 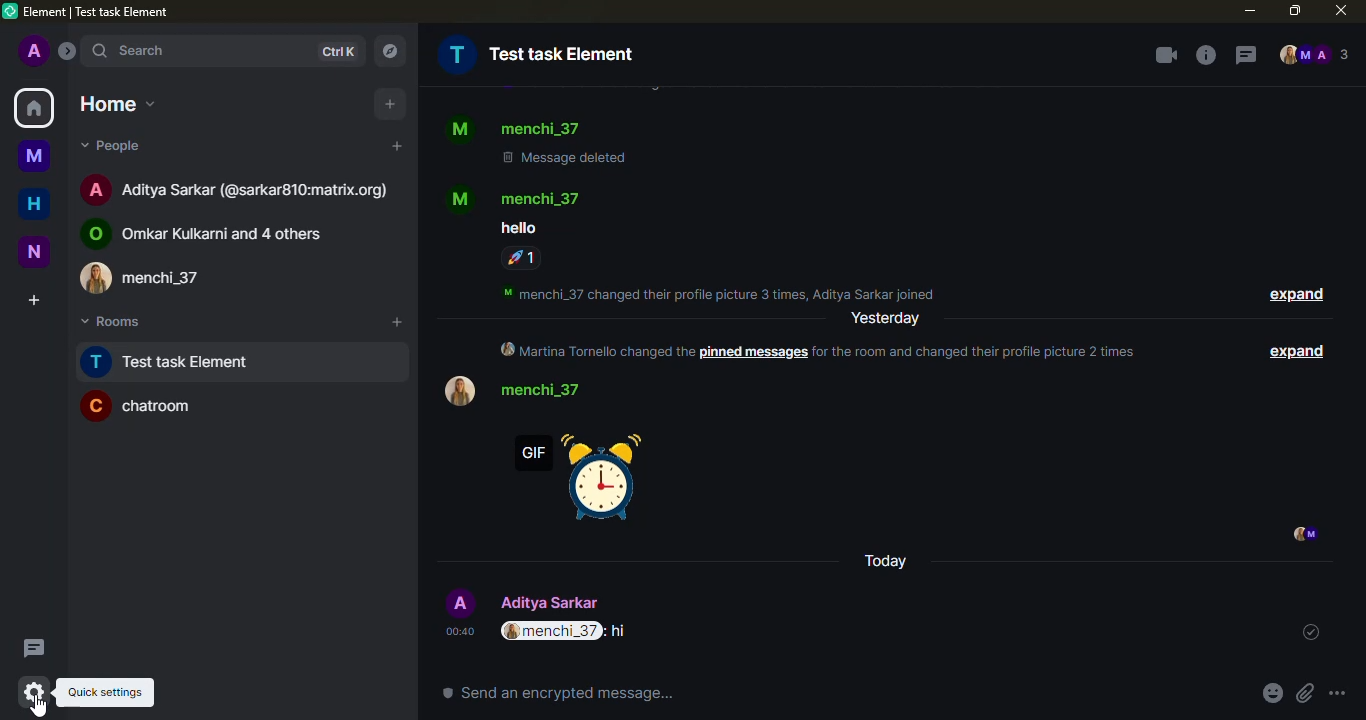 I want to click on contact, so click(x=238, y=187).